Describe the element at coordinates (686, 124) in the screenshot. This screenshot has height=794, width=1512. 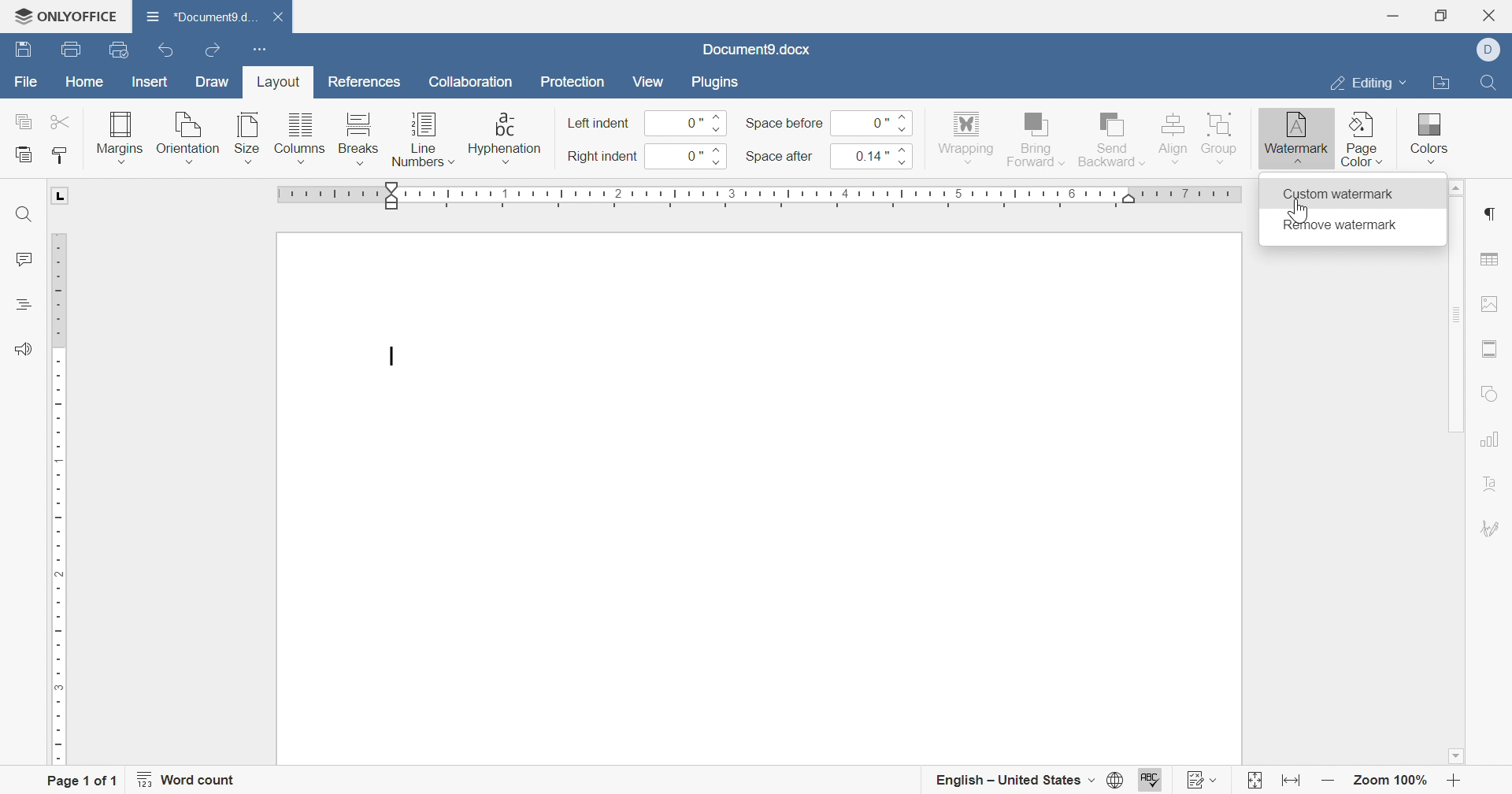
I see `0` at that location.